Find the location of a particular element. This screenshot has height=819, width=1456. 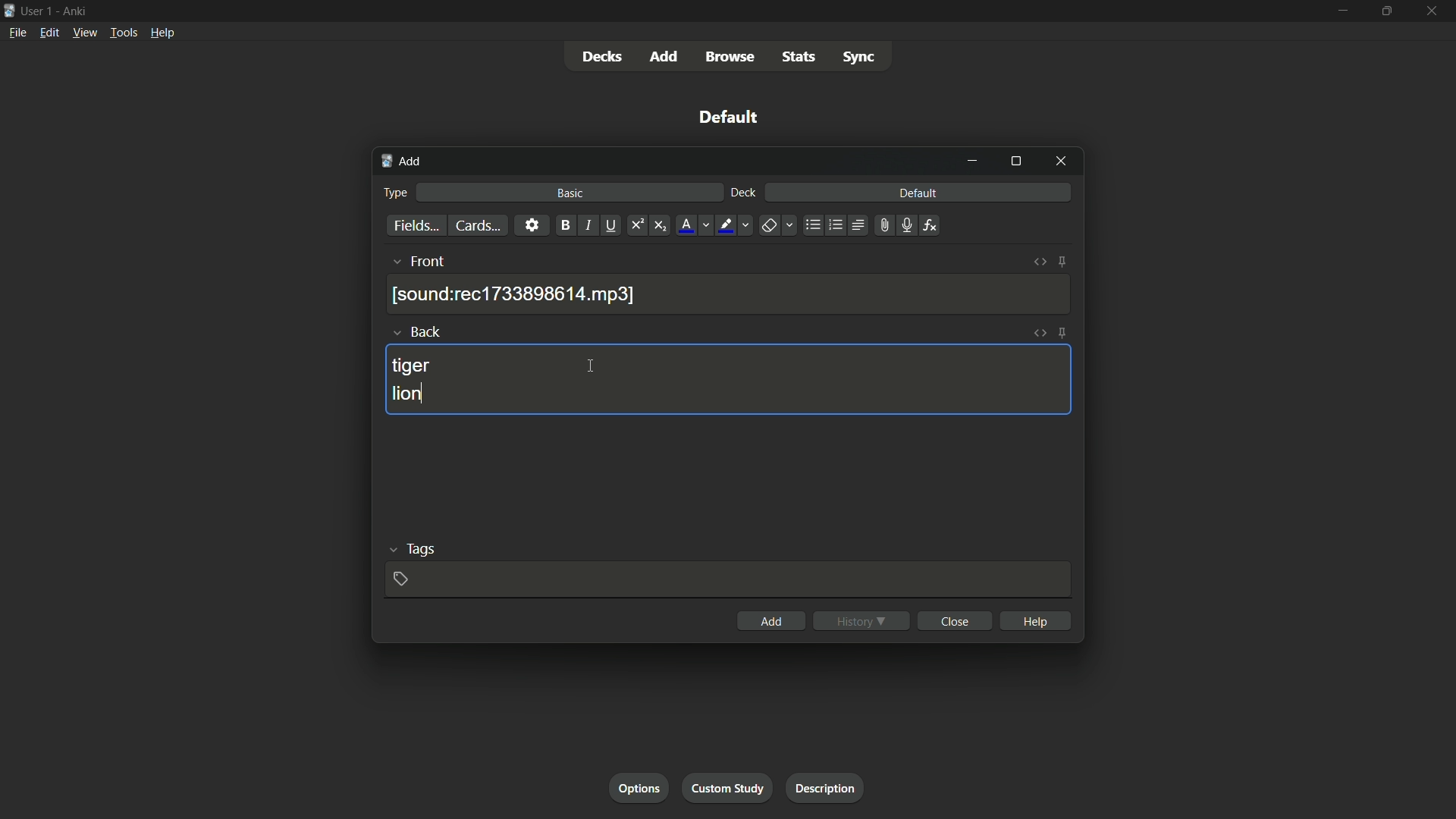

cards is located at coordinates (475, 225).